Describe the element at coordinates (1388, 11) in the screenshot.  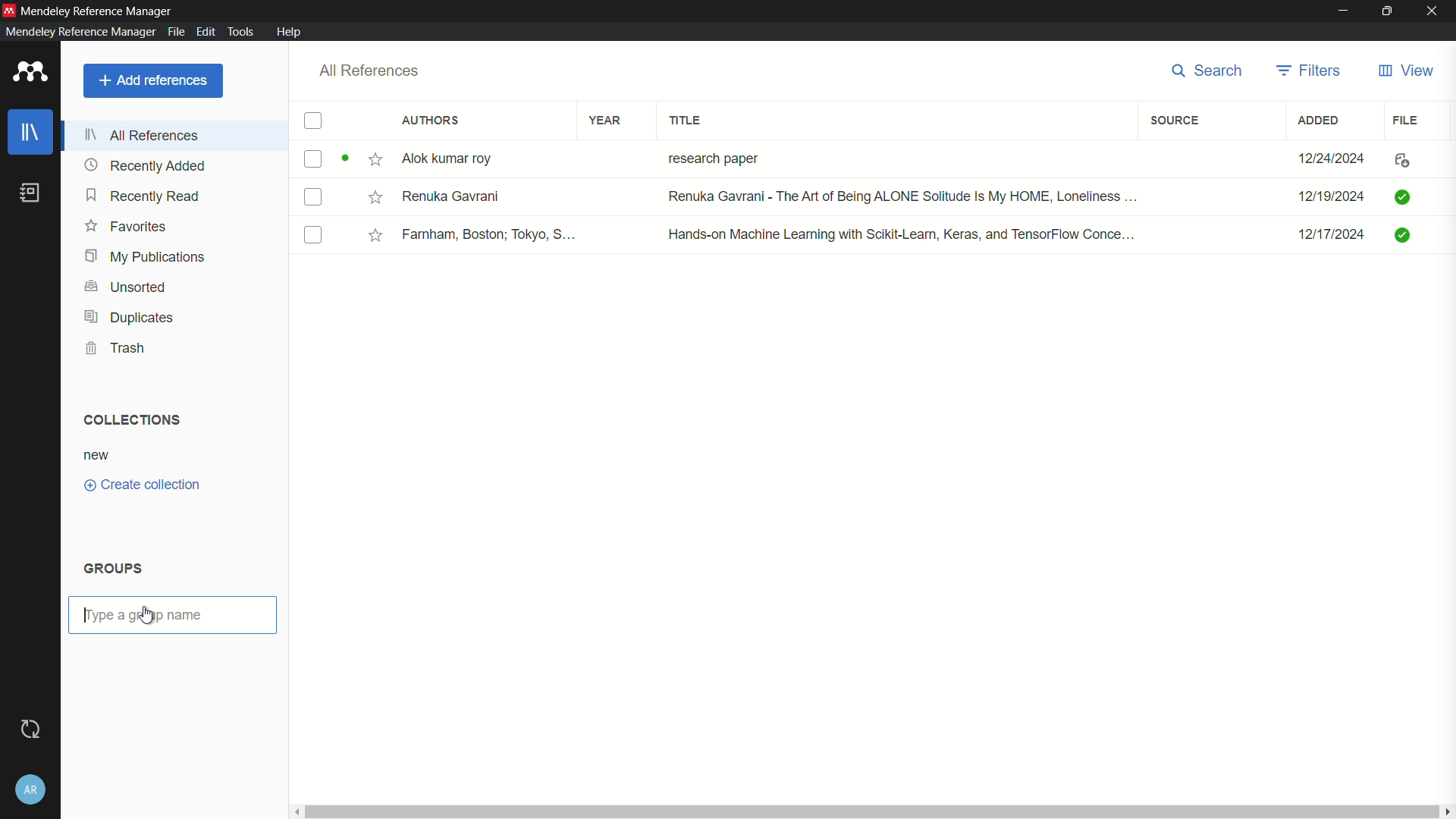
I see `maximize` at that location.